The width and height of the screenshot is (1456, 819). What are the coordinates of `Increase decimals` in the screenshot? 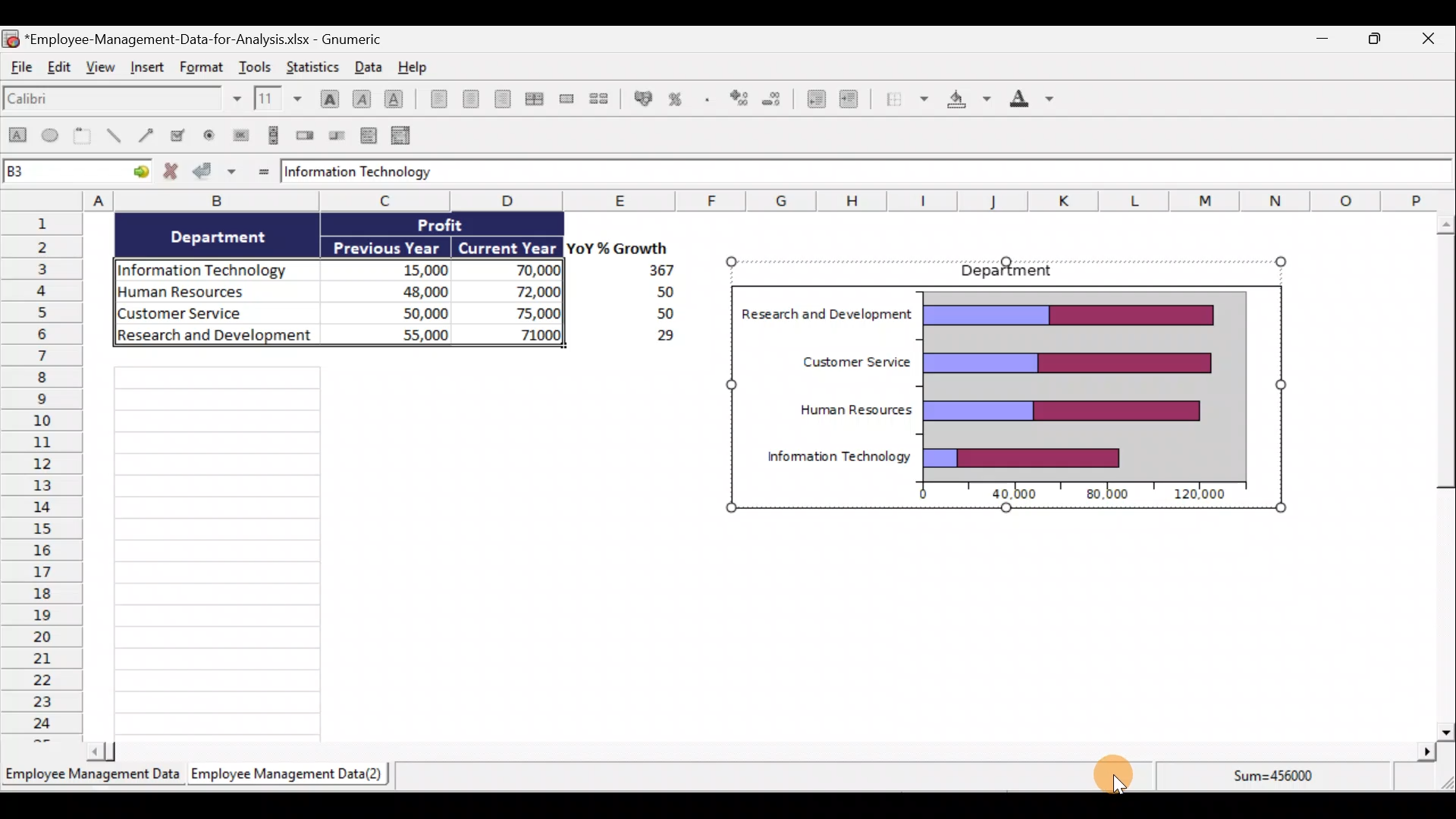 It's located at (737, 99).